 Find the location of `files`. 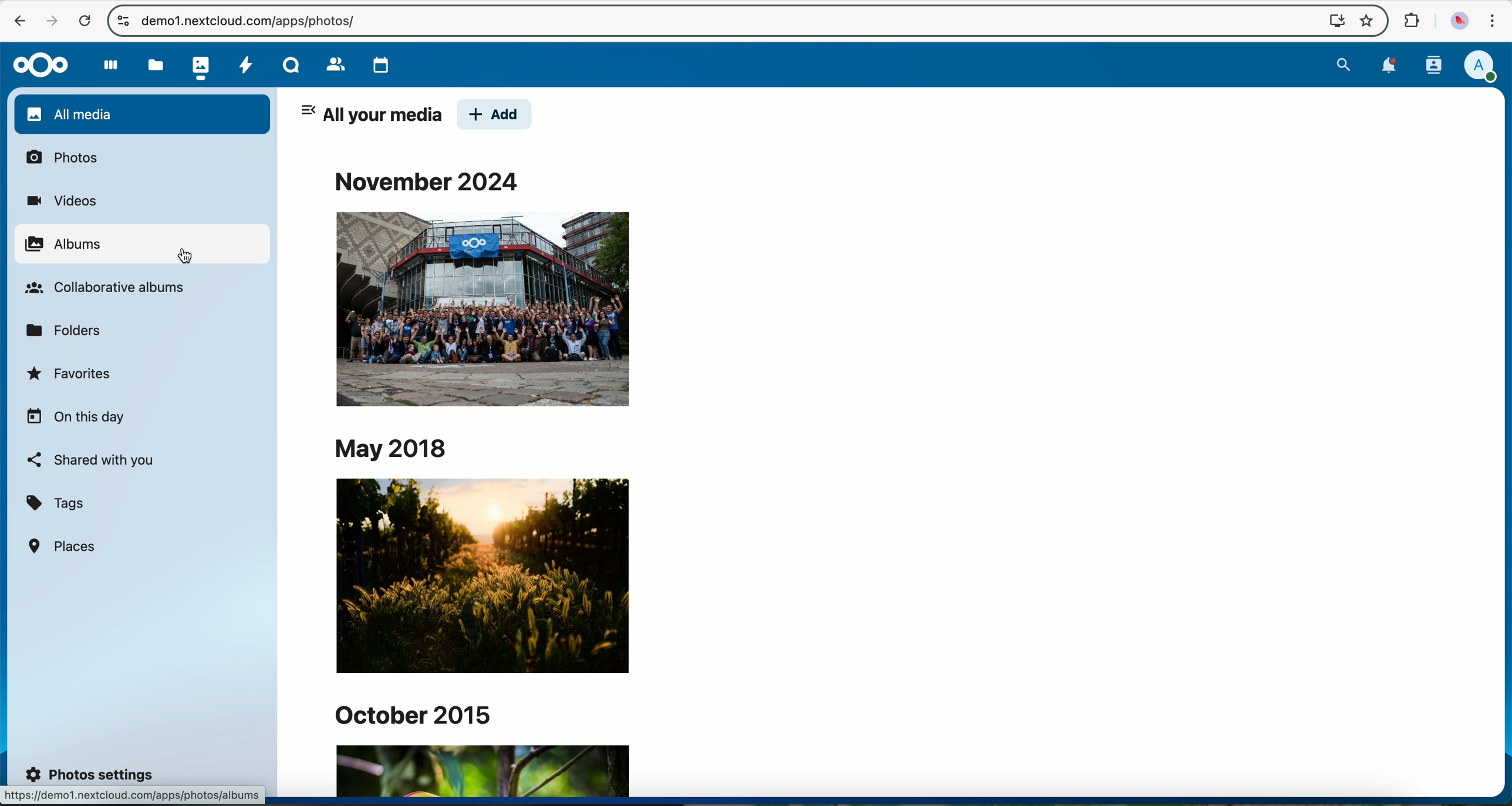

files is located at coordinates (154, 65).